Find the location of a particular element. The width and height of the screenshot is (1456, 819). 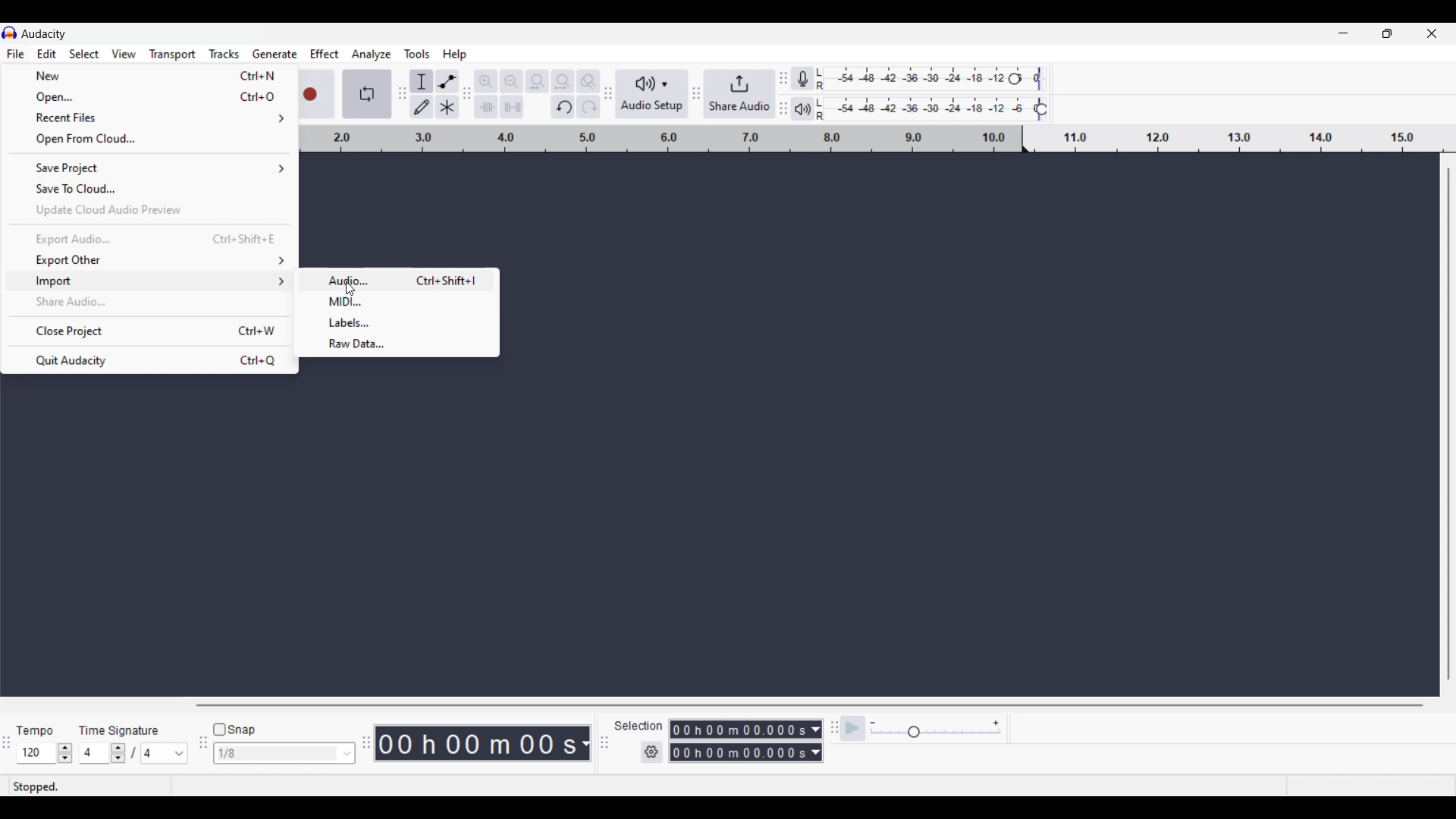

Share audio is located at coordinates (738, 94).